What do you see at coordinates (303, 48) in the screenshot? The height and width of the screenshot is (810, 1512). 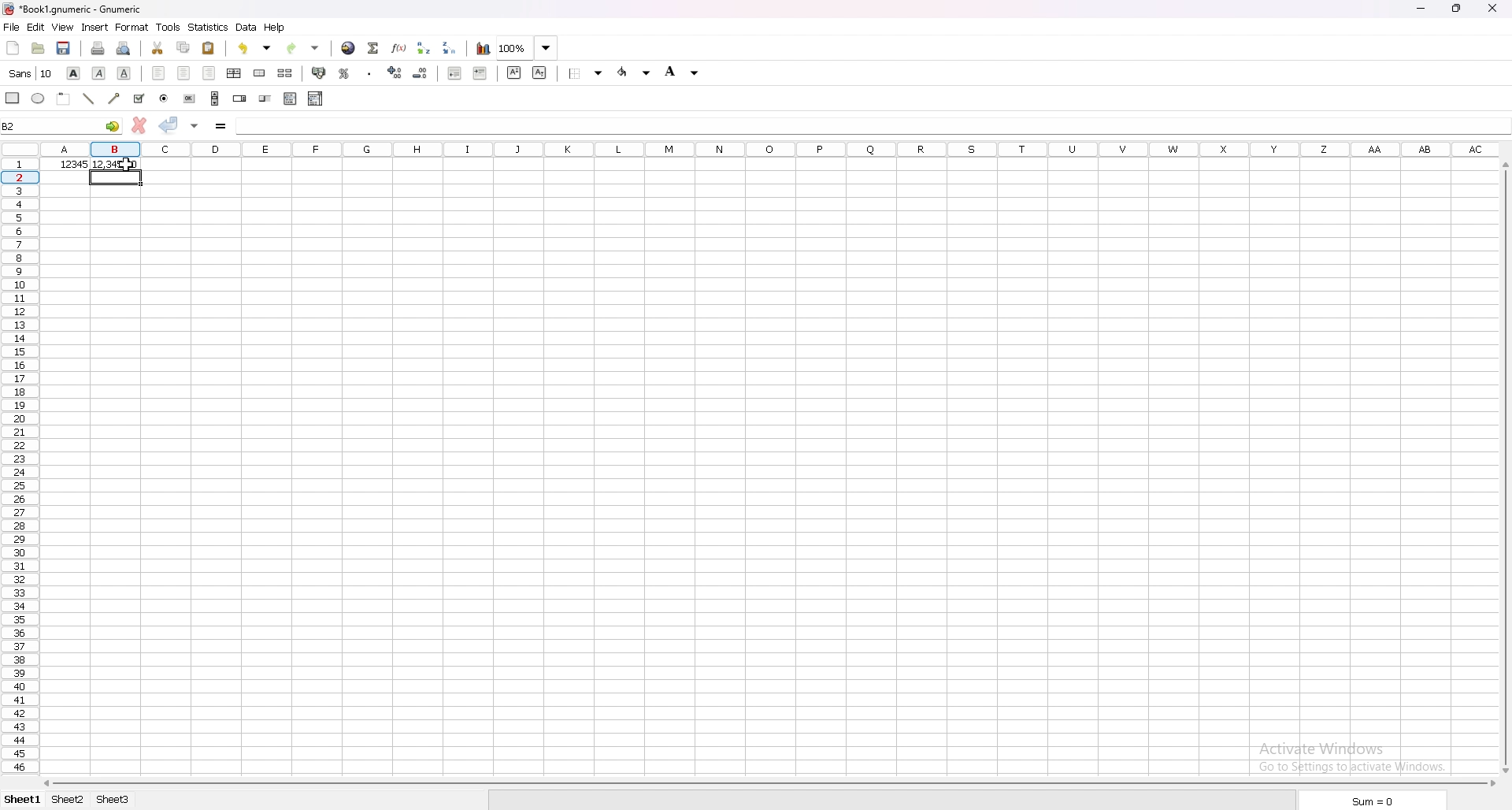 I see `redo` at bounding box center [303, 48].